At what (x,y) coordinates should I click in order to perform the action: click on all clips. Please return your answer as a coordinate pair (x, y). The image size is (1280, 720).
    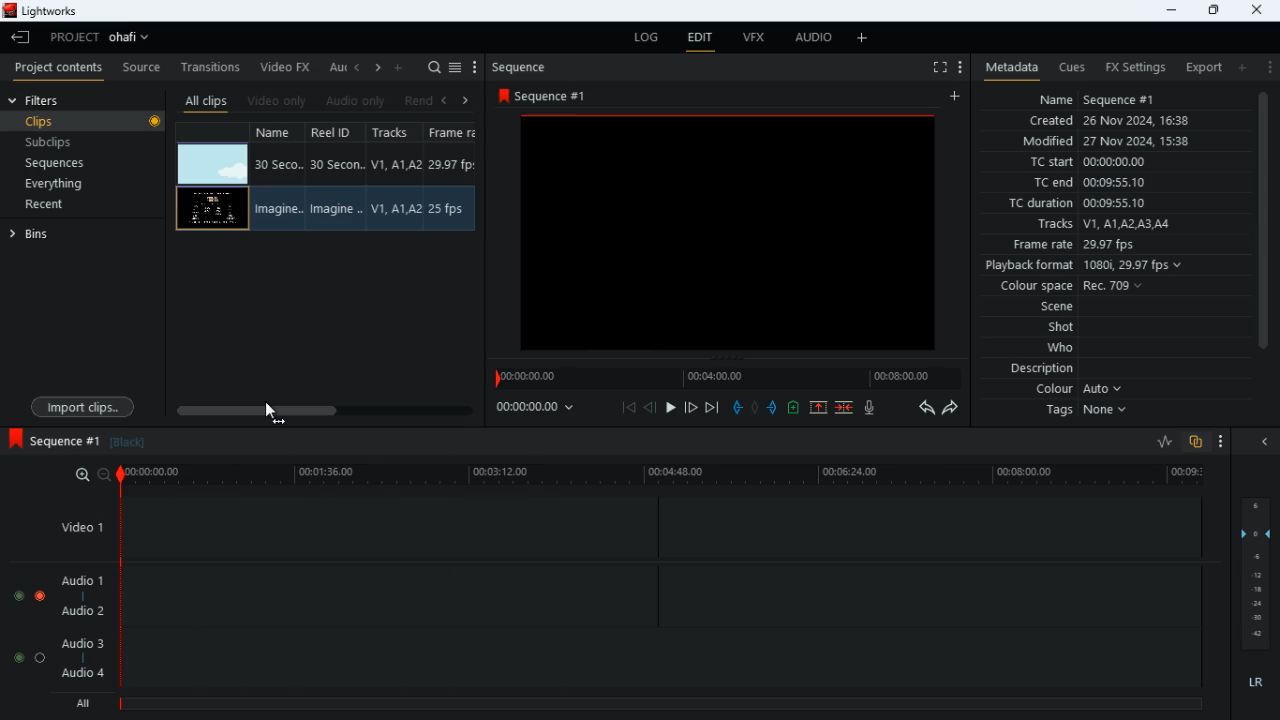
    Looking at the image, I should click on (207, 99).